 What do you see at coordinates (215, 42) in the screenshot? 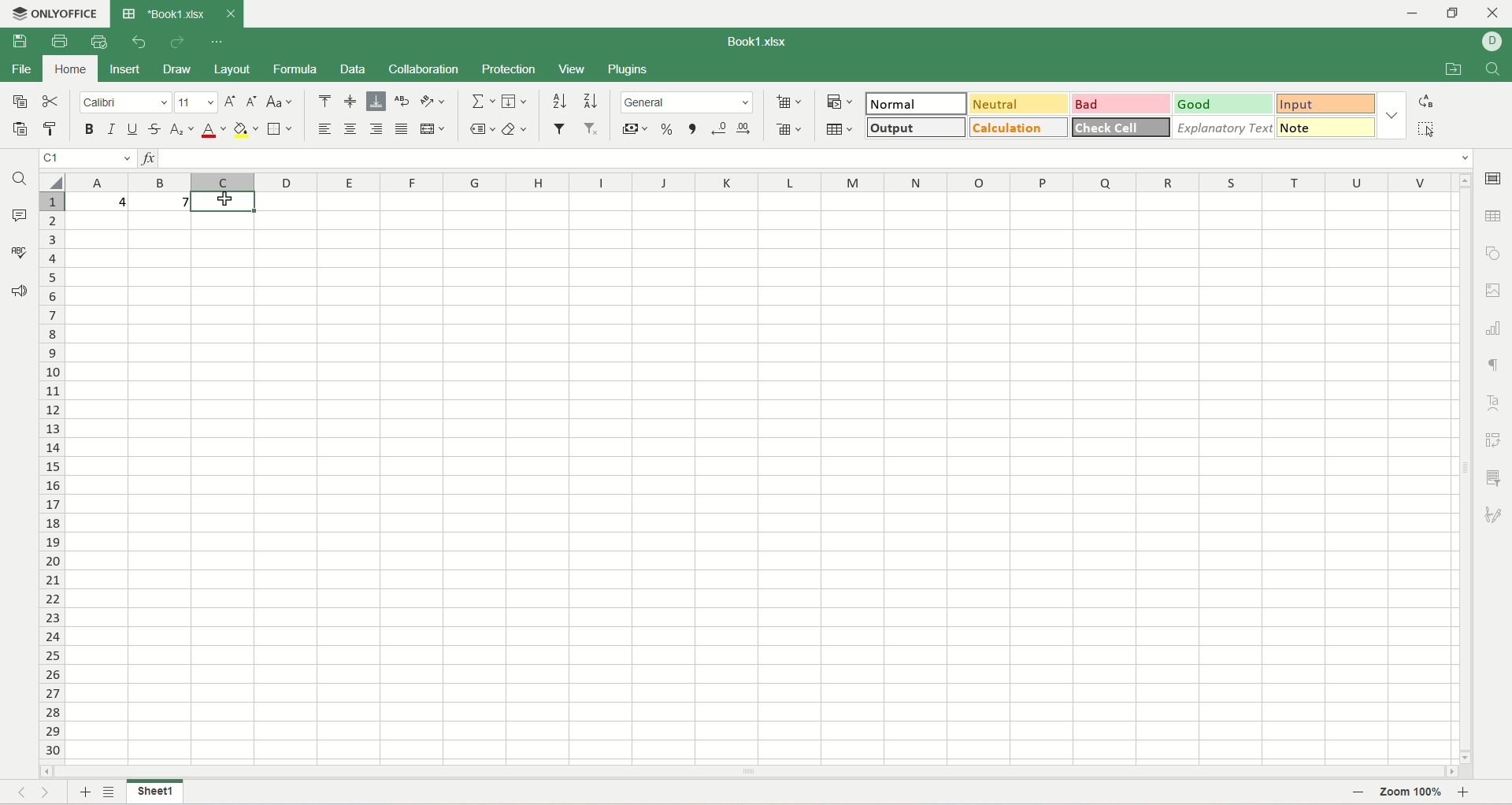
I see `customize quick access` at bounding box center [215, 42].